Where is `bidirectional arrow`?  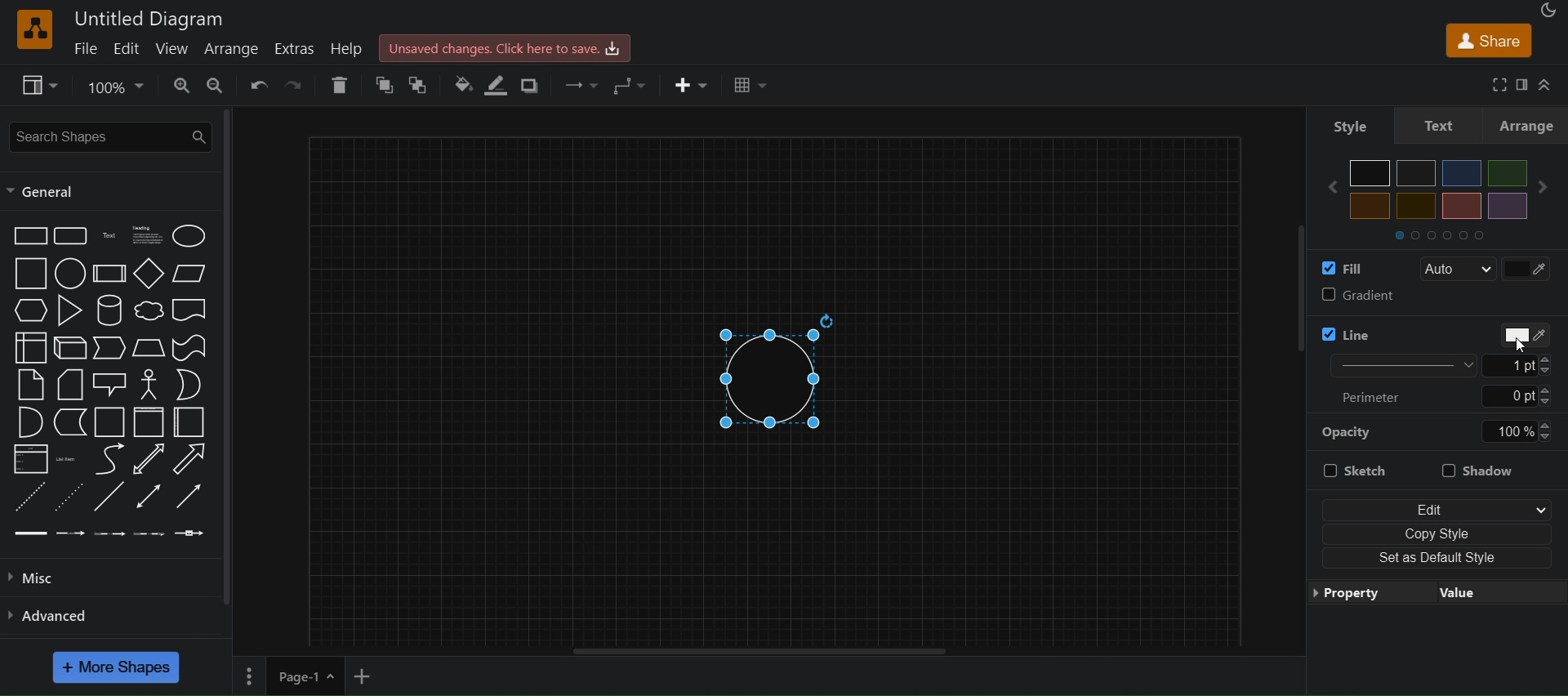 bidirectional arrow is located at coordinates (145, 460).